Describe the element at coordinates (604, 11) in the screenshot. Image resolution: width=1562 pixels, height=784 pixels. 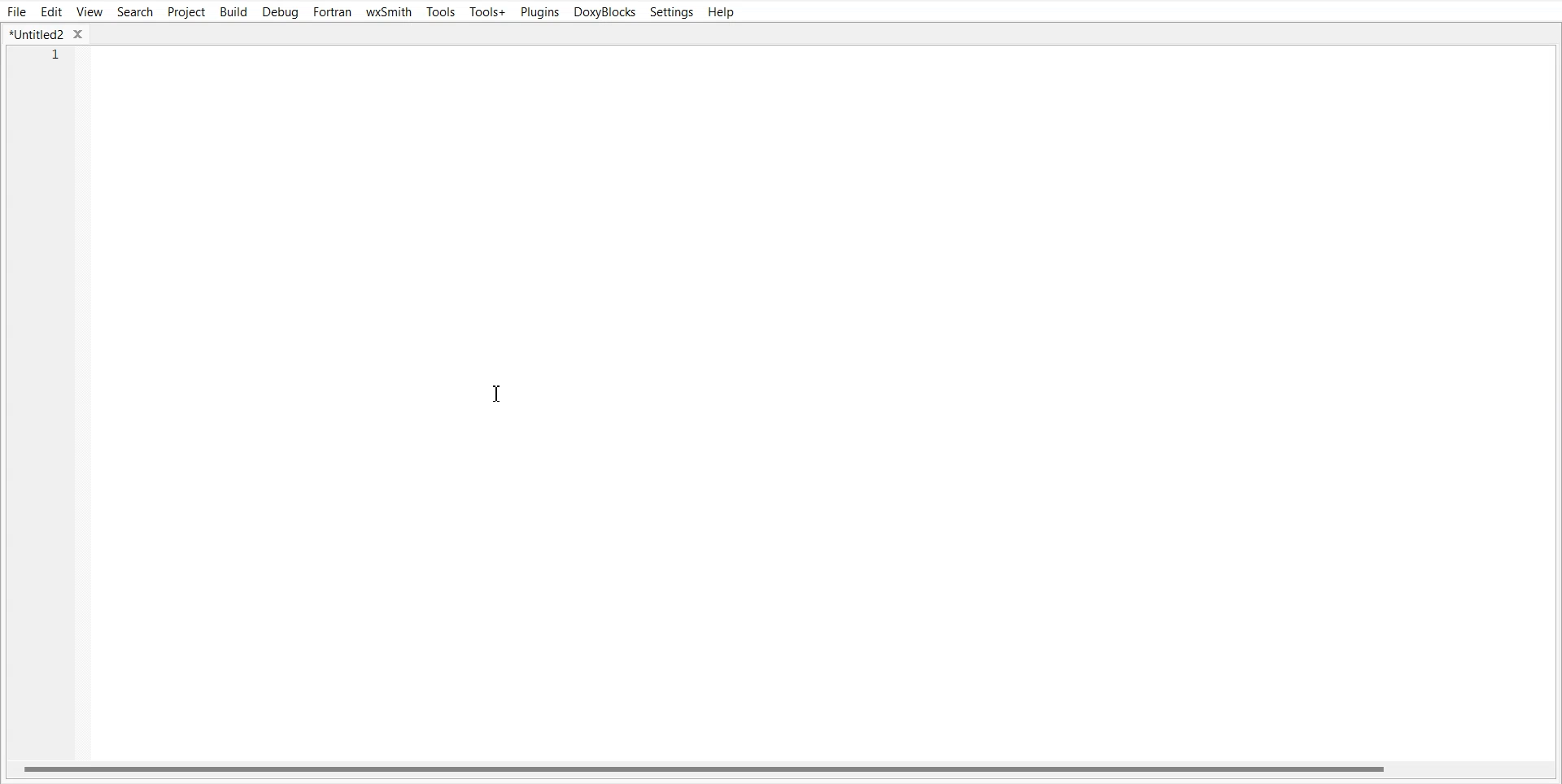
I see `DoxyBlocks` at that location.